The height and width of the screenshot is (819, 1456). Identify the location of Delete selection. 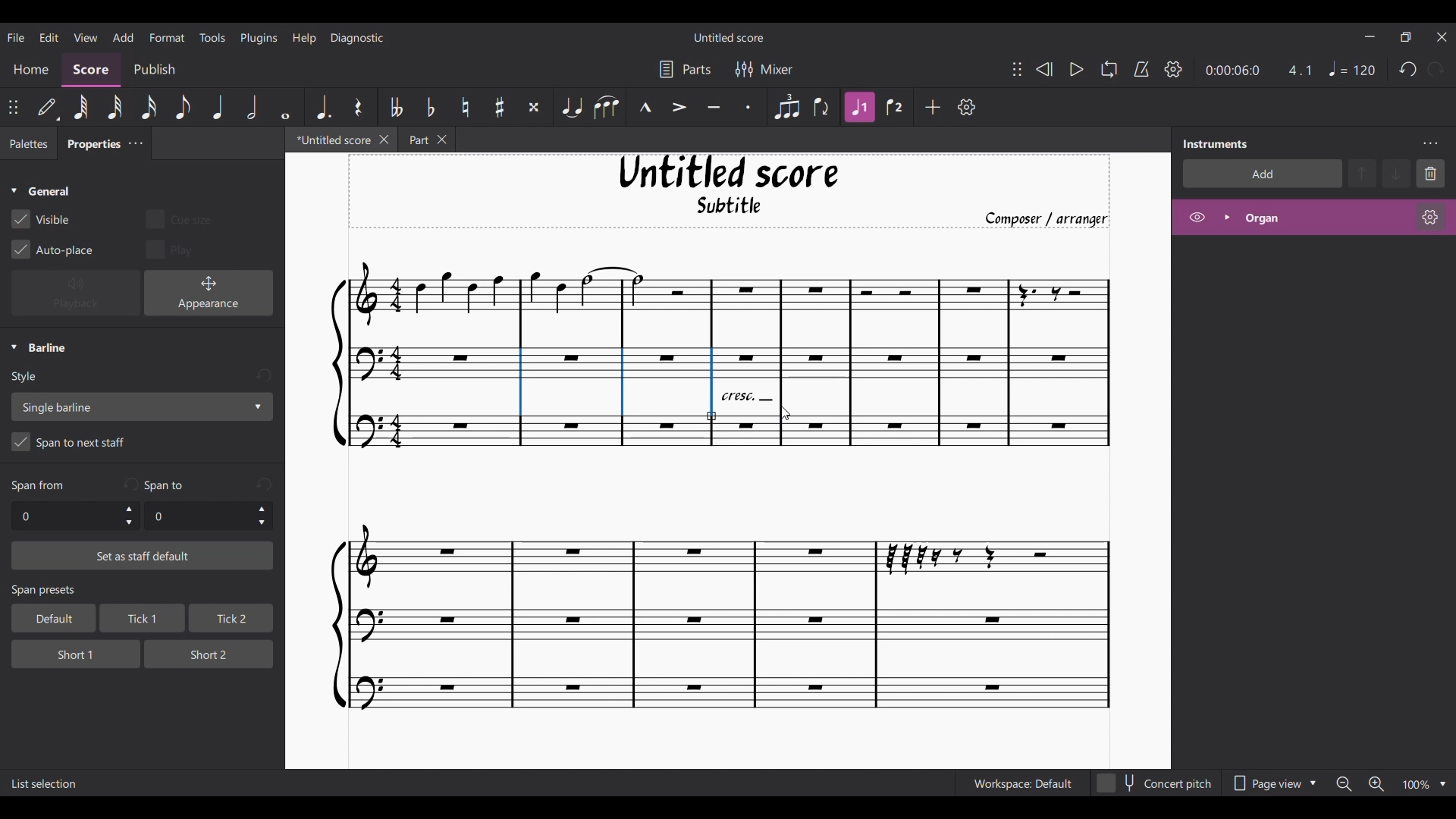
(1431, 173).